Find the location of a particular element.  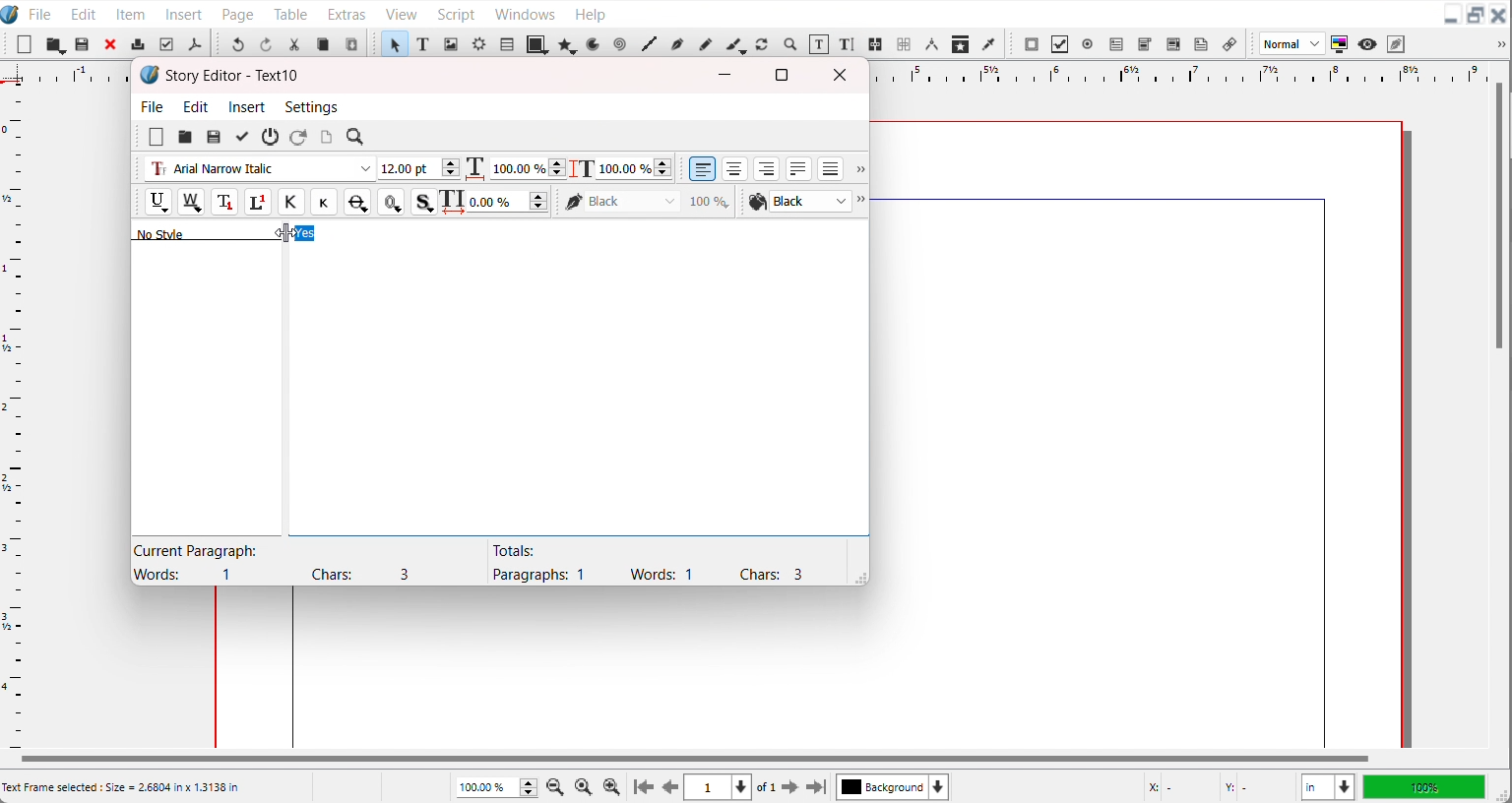

Remove underline is located at coordinates (190, 202).